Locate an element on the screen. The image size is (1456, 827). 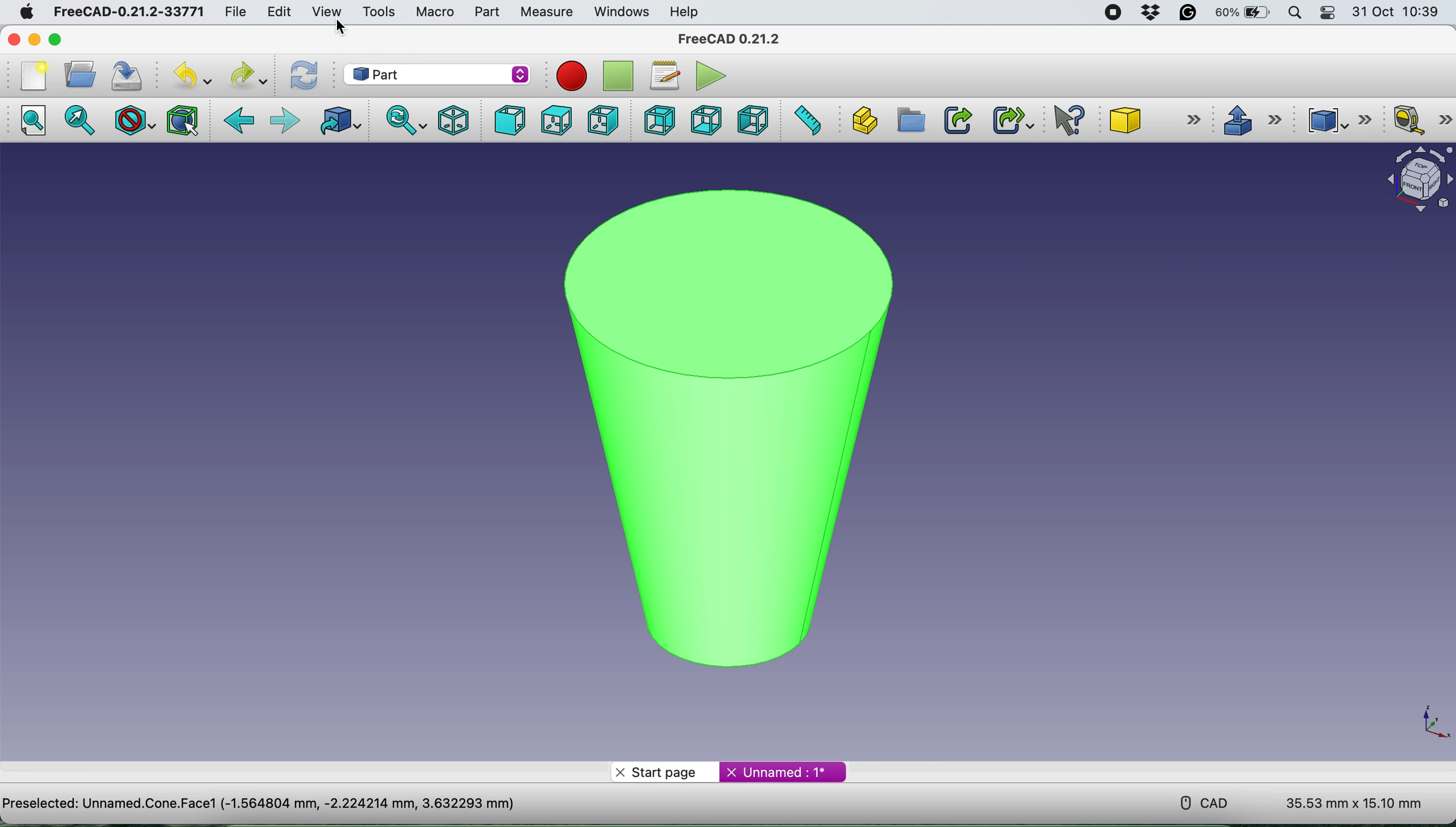
freecad-0.21.2-33771 is located at coordinates (130, 12).